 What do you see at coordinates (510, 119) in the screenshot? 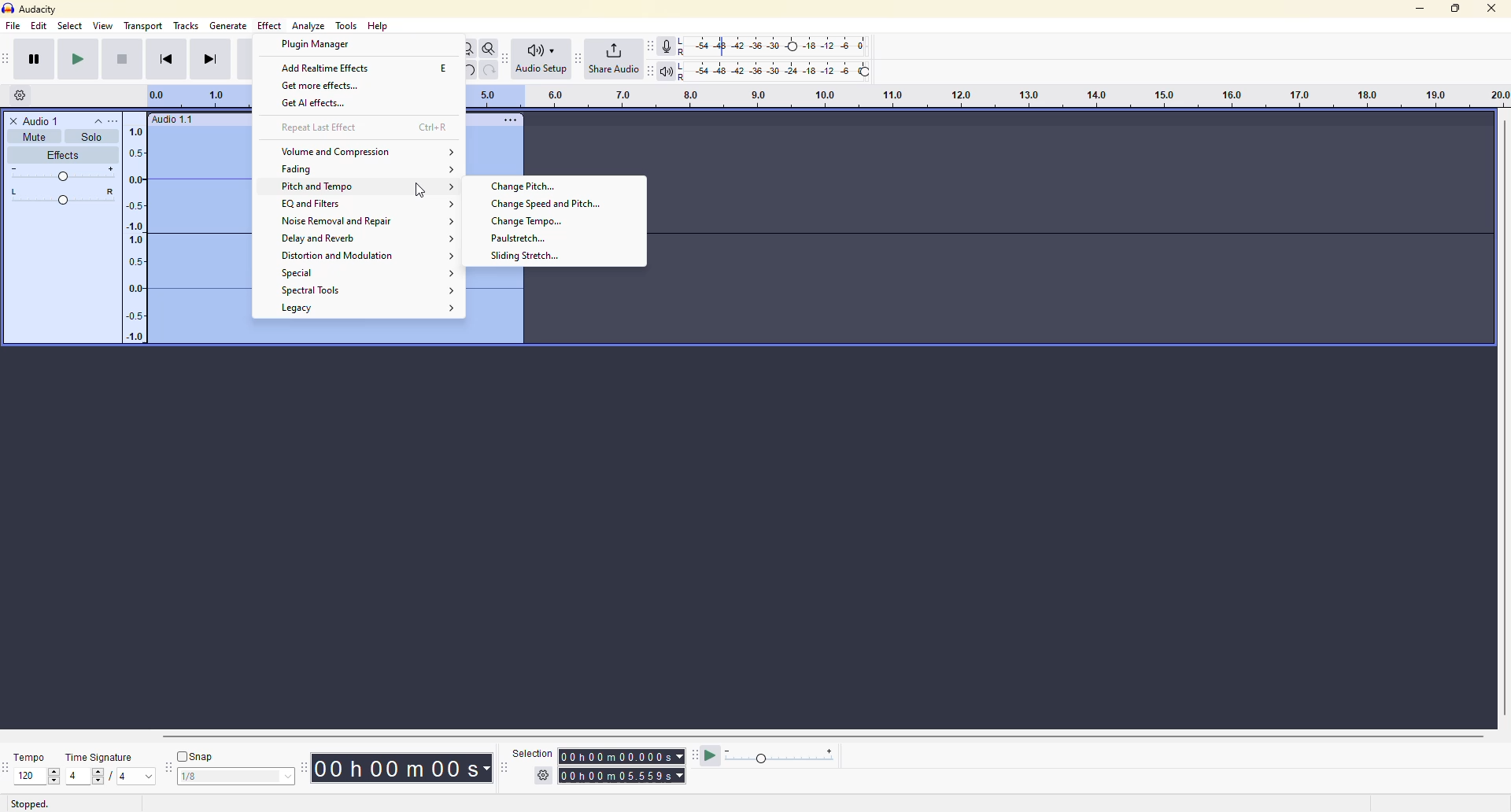
I see `more` at bounding box center [510, 119].